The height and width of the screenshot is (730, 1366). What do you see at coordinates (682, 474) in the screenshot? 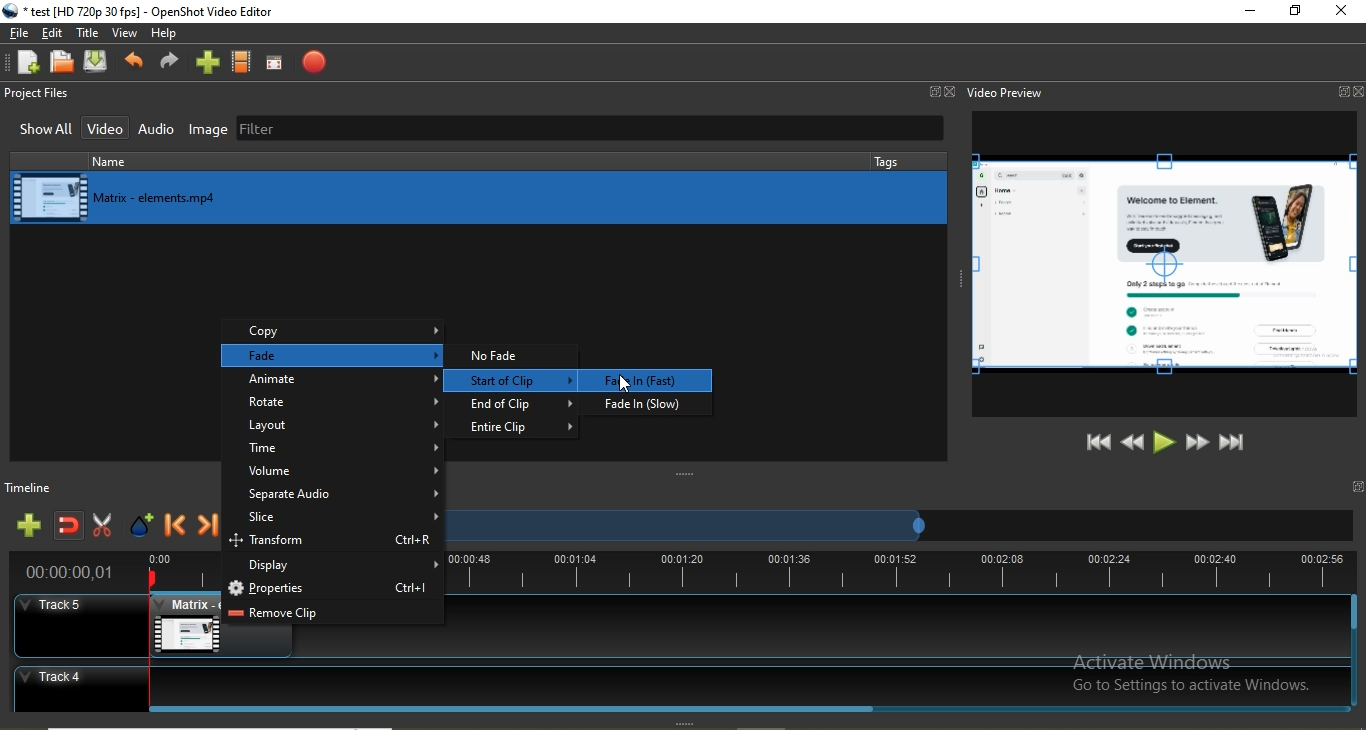
I see `adjust window` at bounding box center [682, 474].